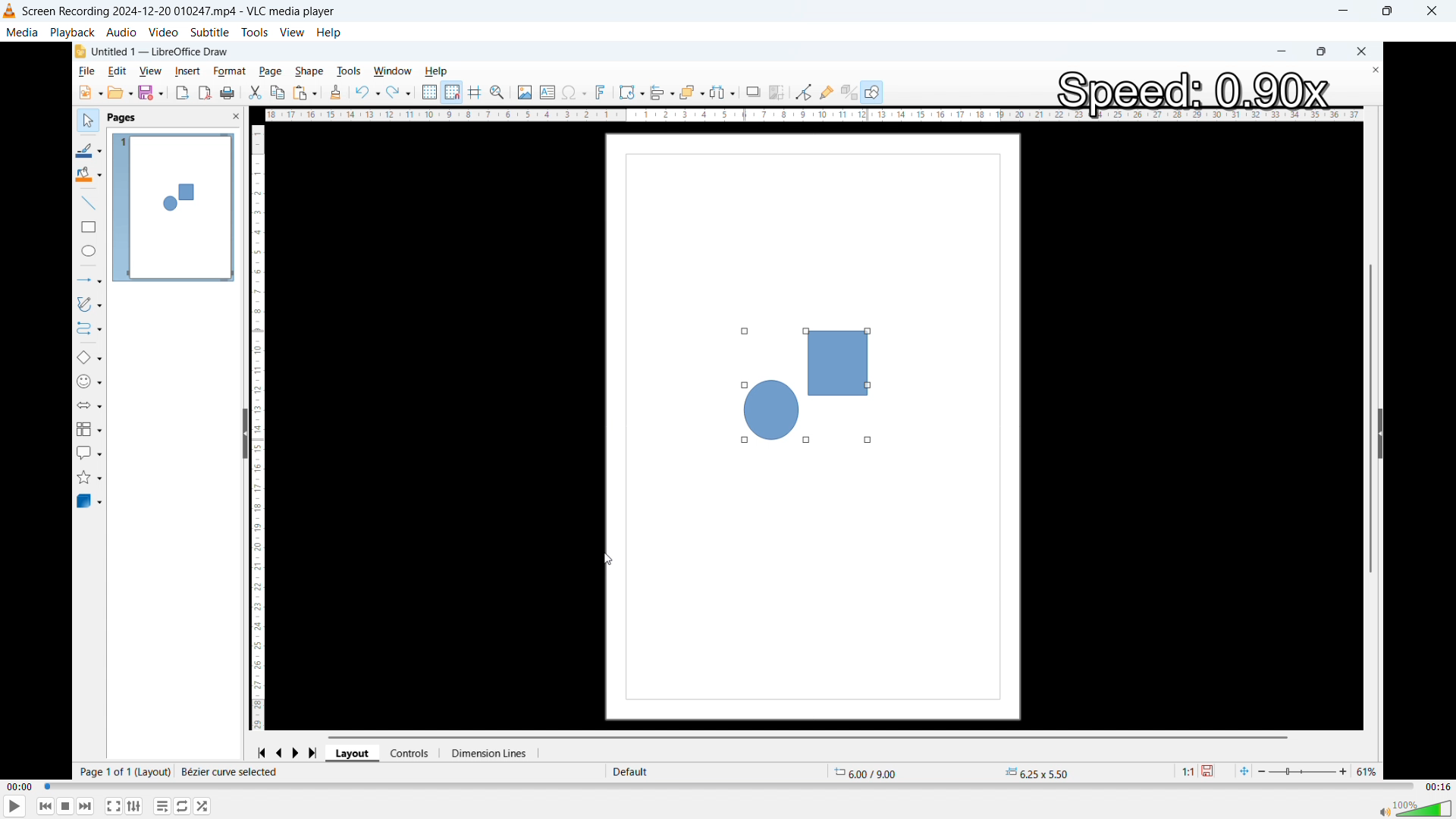 The height and width of the screenshot is (819, 1456). Describe the element at coordinates (202, 806) in the screenshot. I see `random ` at that location.